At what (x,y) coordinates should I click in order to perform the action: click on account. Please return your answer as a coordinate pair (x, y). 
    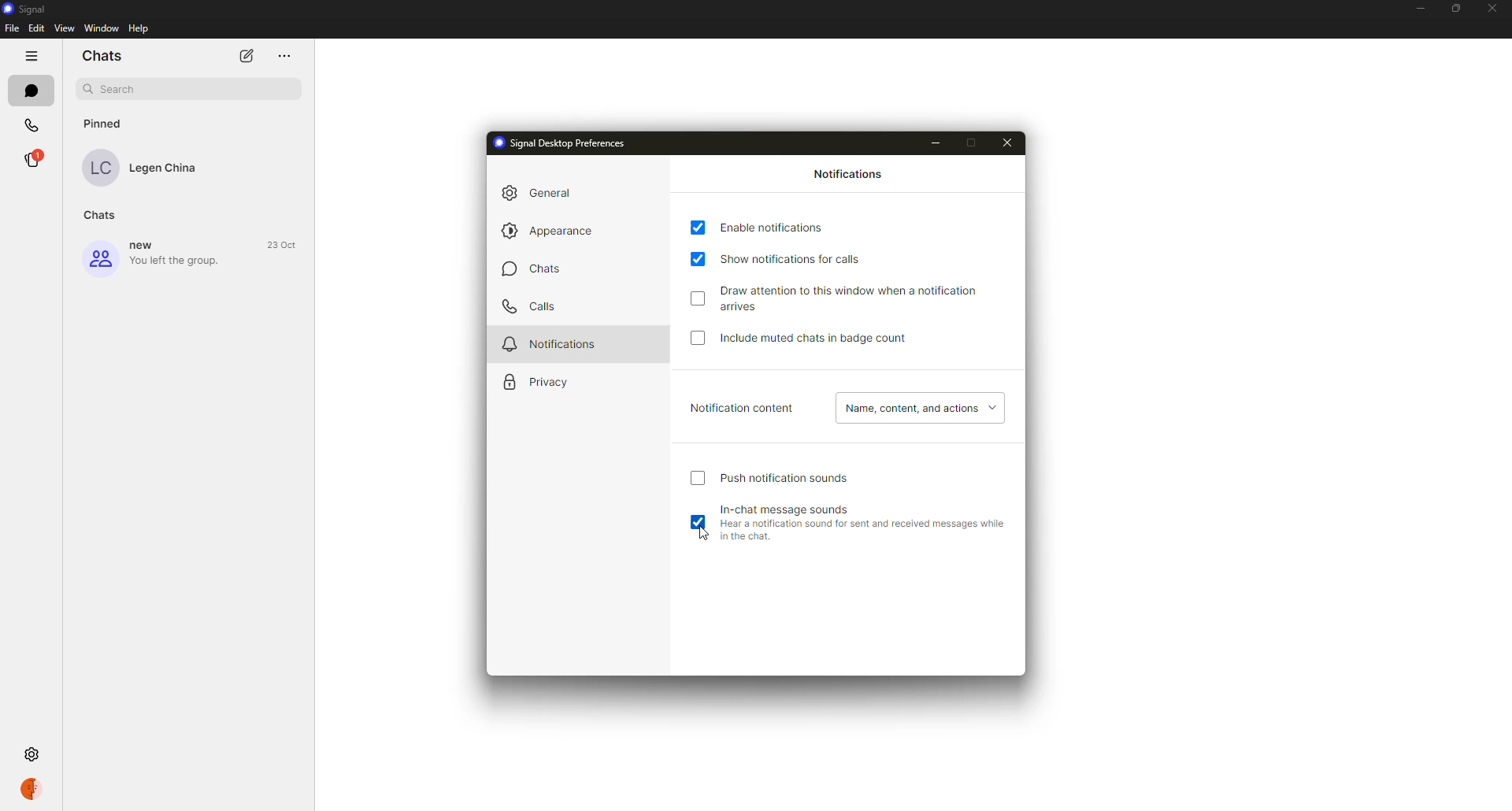
    Looking at the image, I should click on (31, 790).